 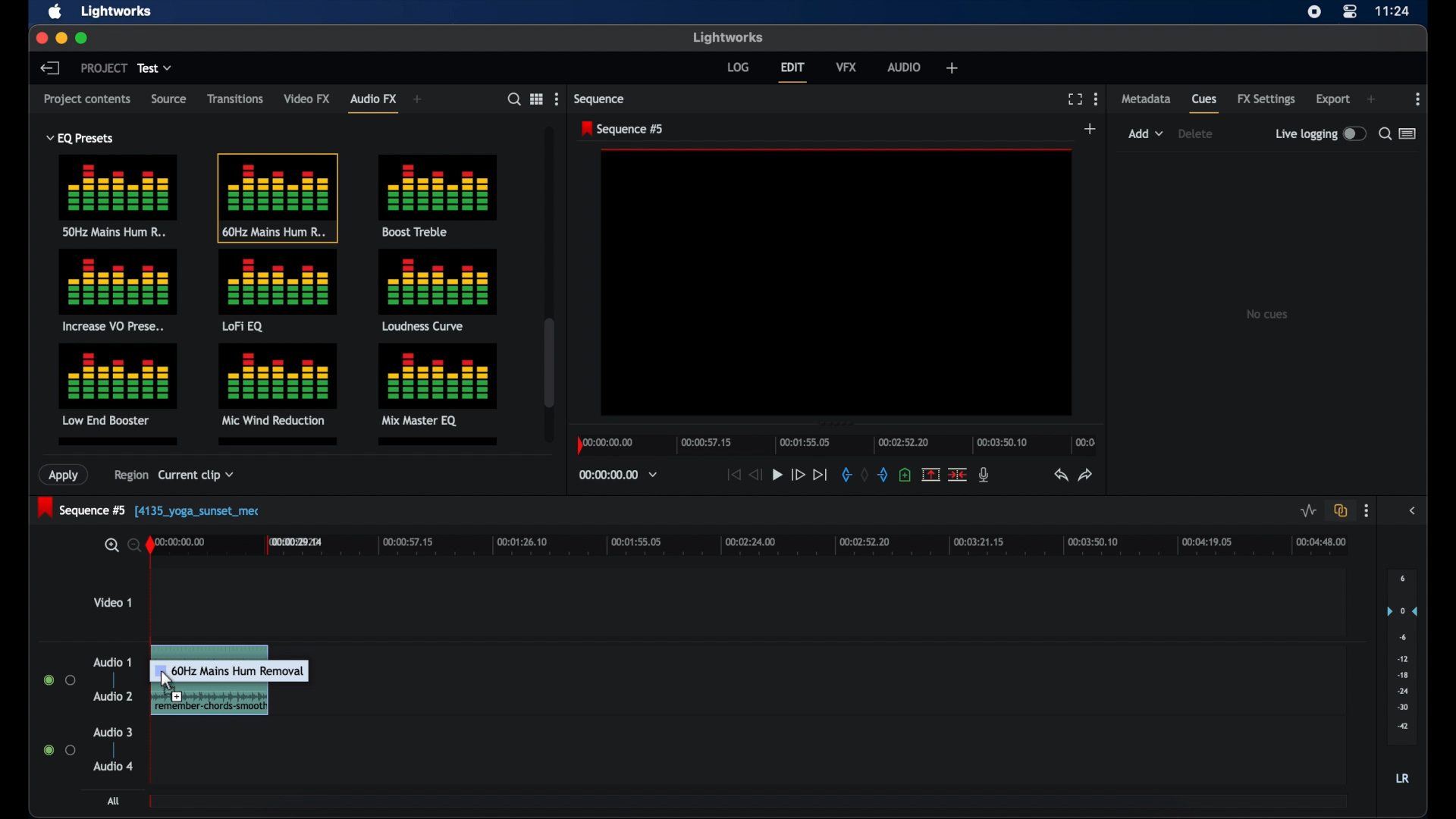 What do you see at coordinates (763, 548) in the screenshot?
I see `timeline scale` at bounding box center [763, 548].